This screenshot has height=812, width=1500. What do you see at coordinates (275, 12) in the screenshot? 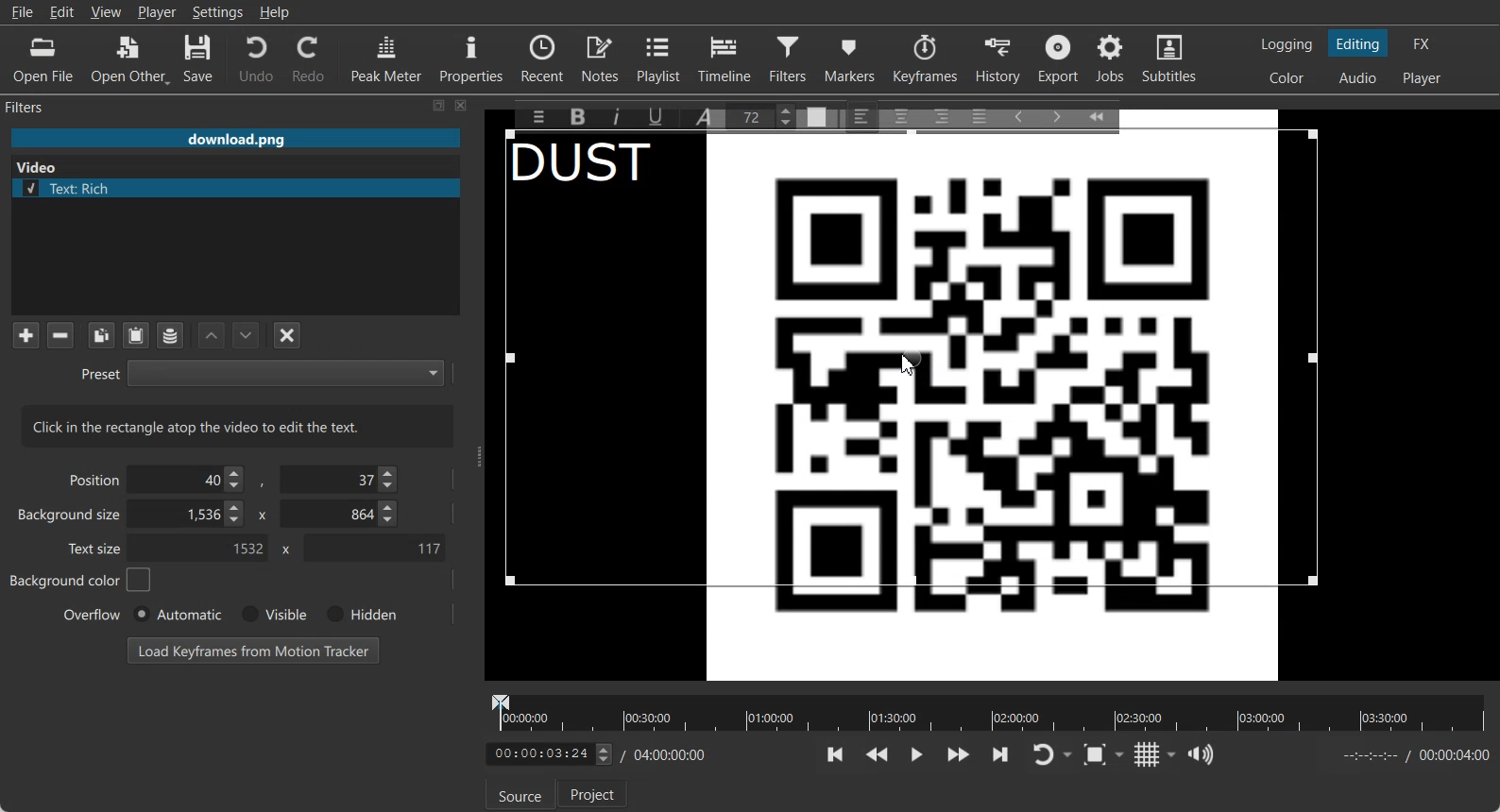
I see `Help` at bounding box center [275, 12].